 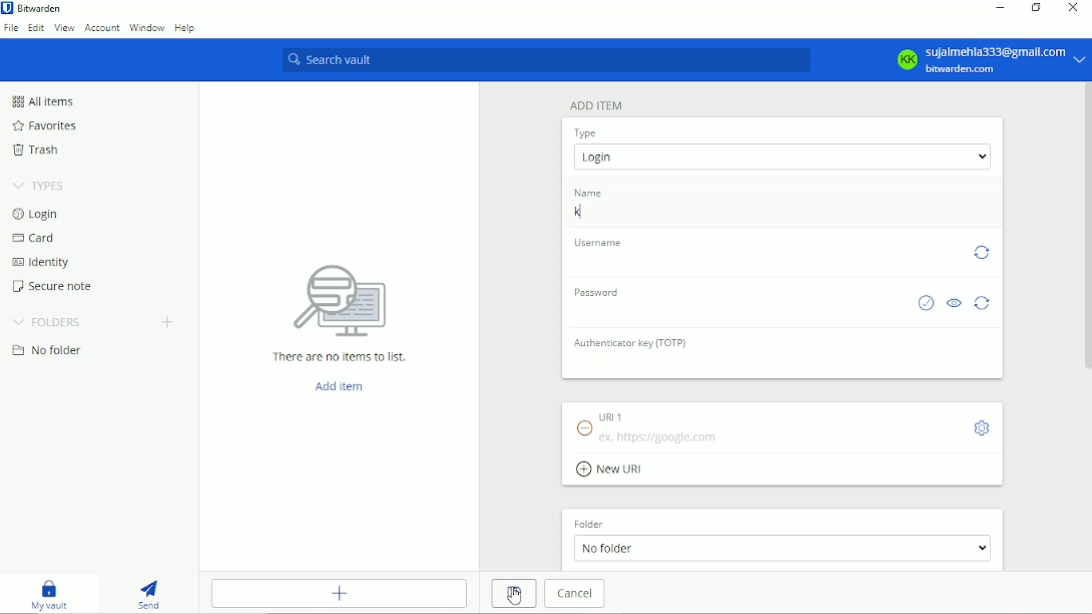 What do you see at coordinates (782, 549) in the screenshot?
I see `No folder` at bounding box center [782, 549].